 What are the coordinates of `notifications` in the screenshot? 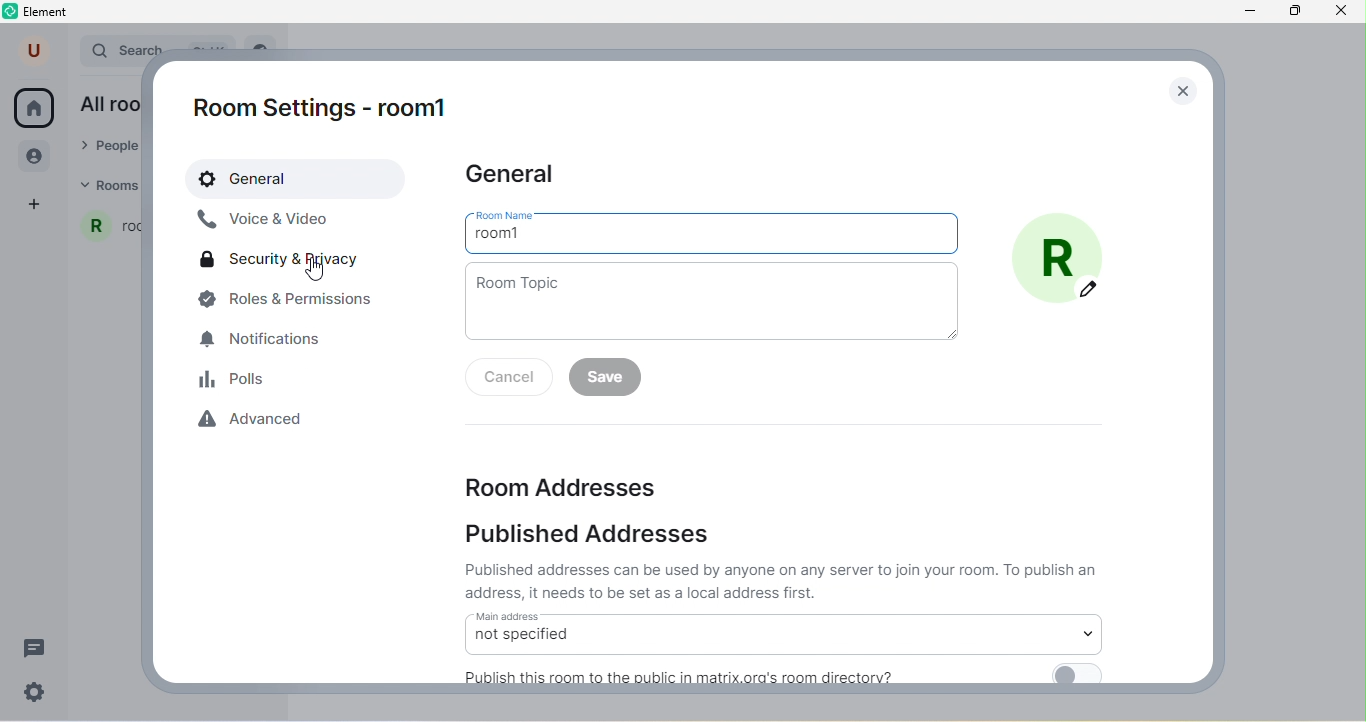 It's located at (272, 340).